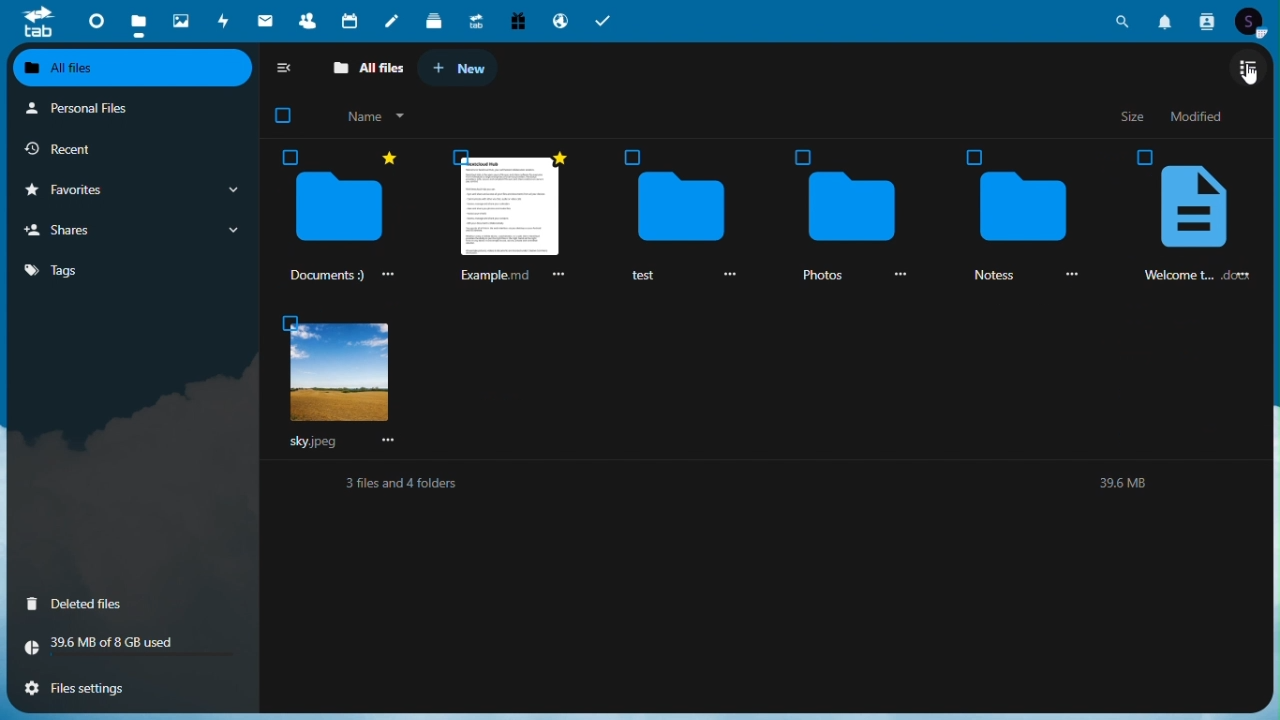 The width and height of the screenshot is (1280, 720). I want to click on photos, so click(179, 17).